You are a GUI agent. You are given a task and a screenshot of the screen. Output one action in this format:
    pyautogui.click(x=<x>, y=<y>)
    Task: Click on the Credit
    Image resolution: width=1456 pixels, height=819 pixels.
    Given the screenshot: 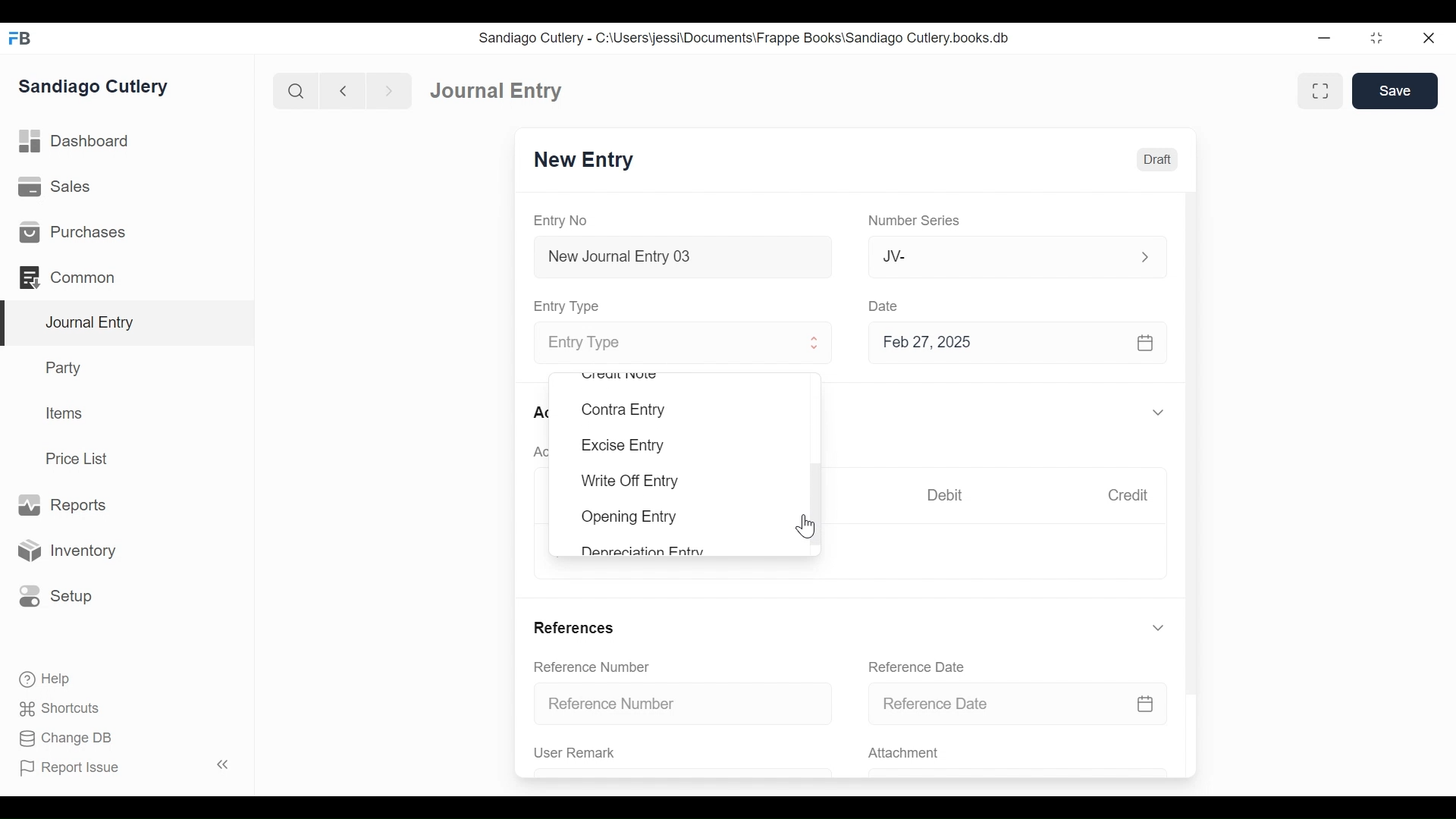 What is the action you would take?
    pyautogui.click(x=1130, y=495)
    